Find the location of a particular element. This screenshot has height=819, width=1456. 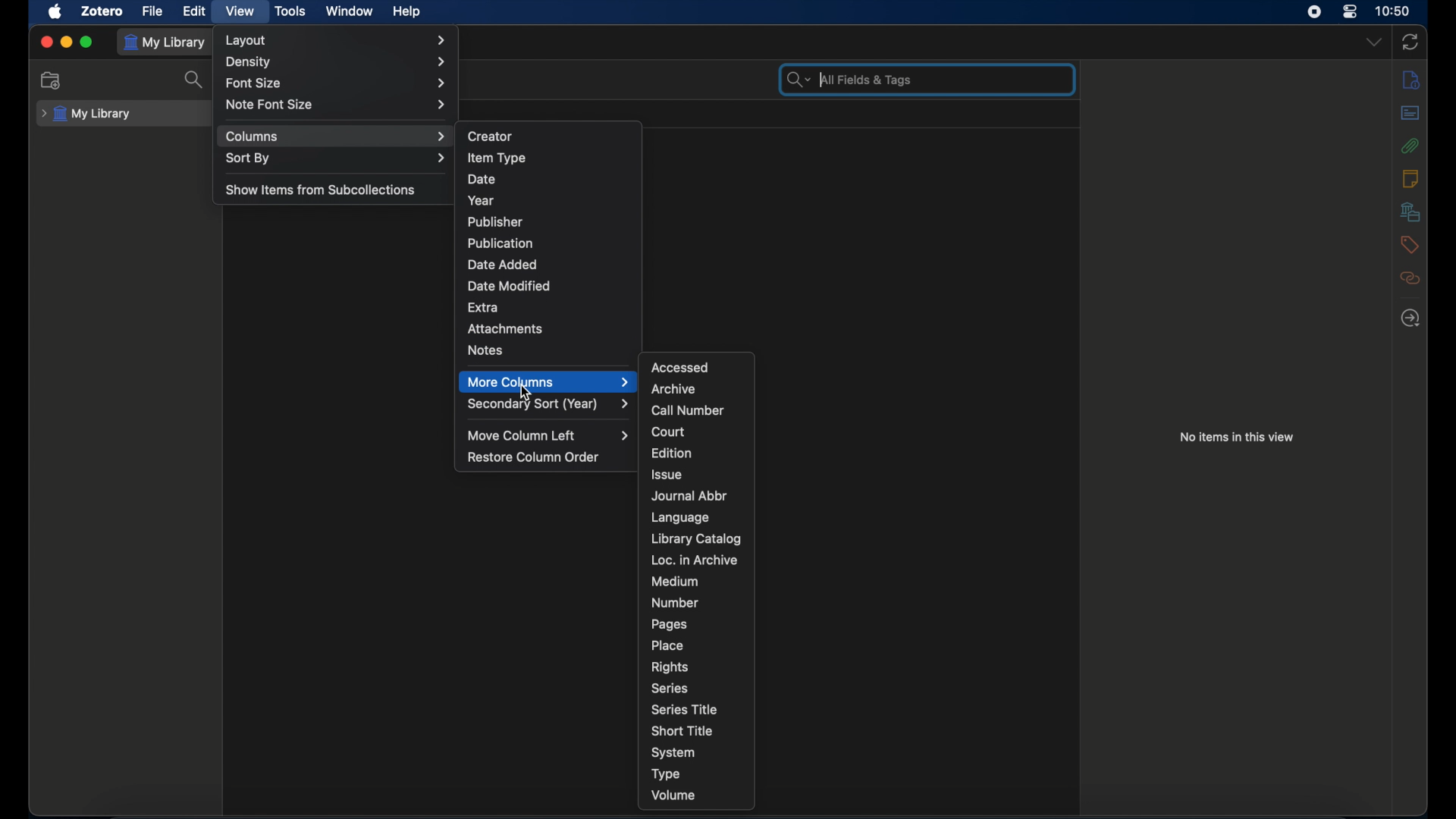

series is located at coordinates (670, 688).